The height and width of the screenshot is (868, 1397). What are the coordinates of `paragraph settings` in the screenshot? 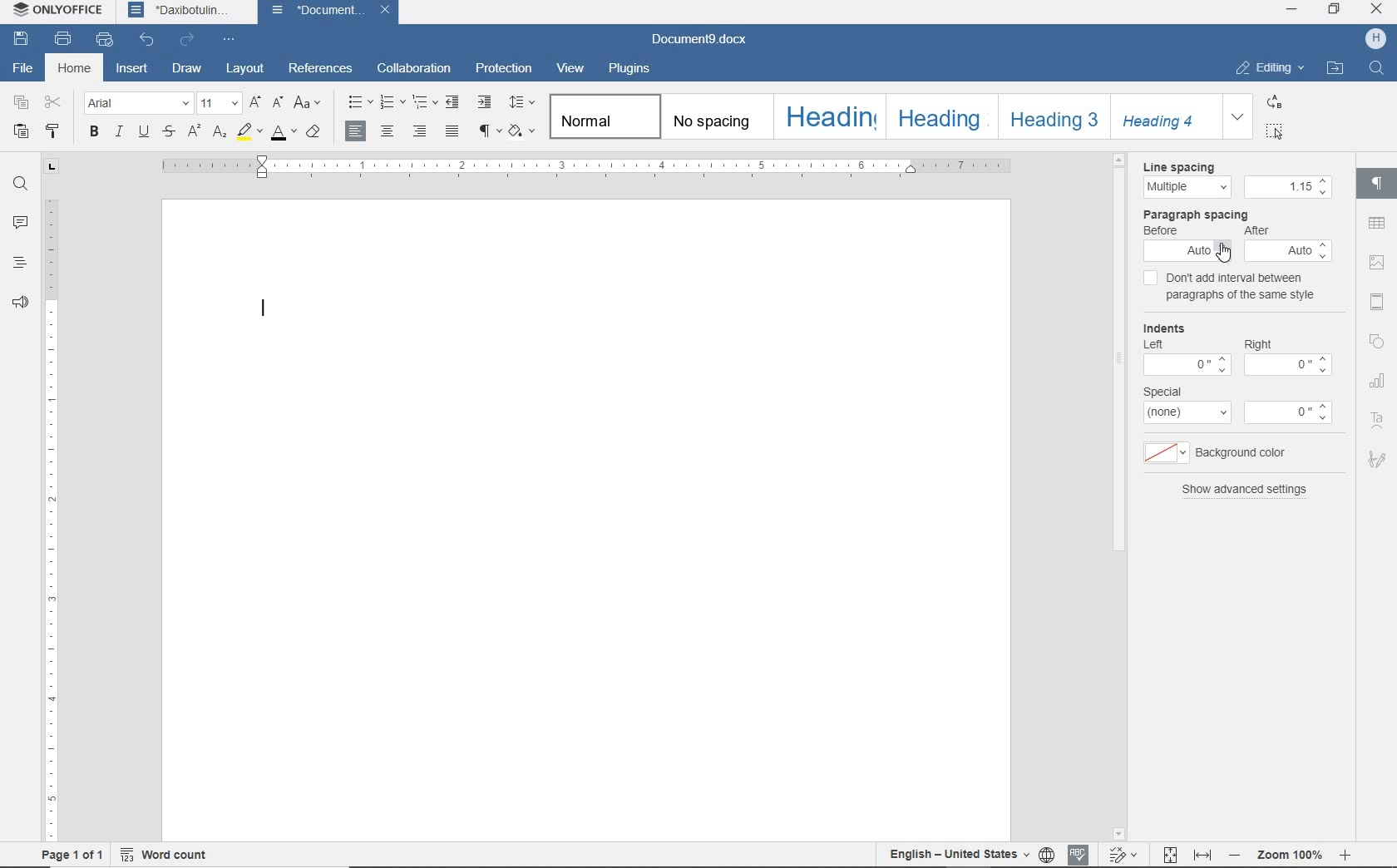 It's located at (1379, 188).